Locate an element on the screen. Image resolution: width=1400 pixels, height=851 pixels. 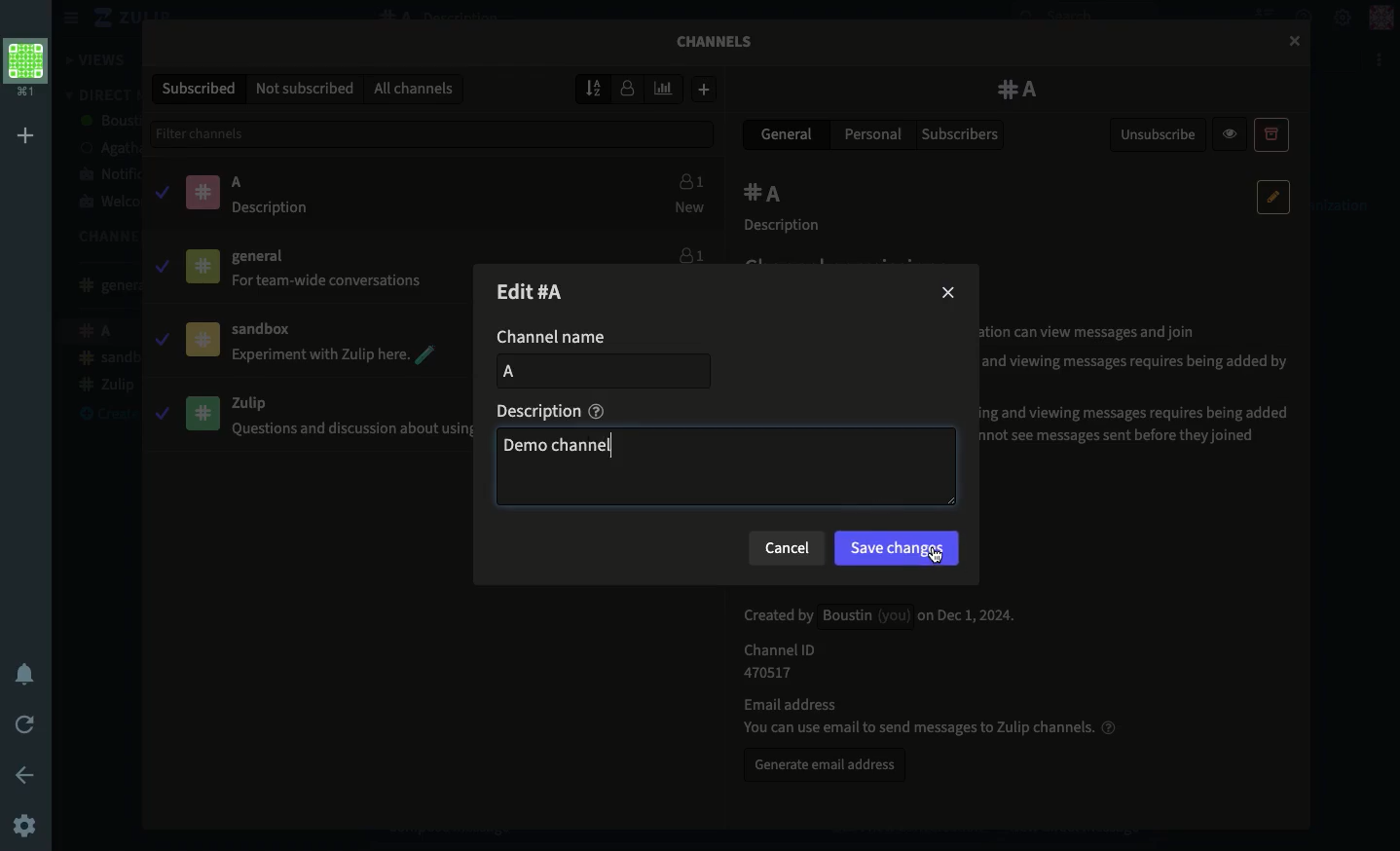
Add is located at coordinates (704, 90).